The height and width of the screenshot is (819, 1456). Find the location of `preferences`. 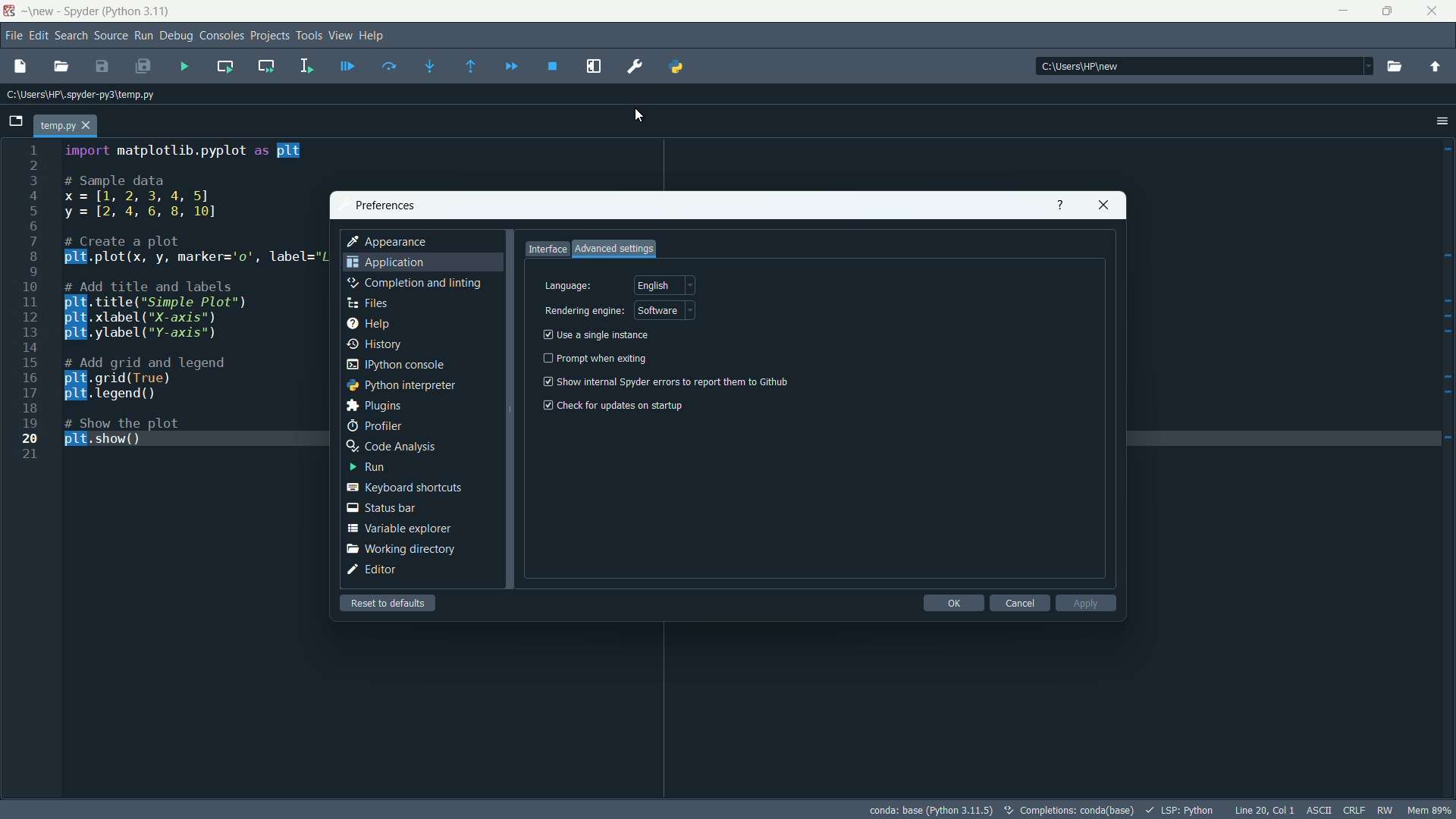

preferences is located at coordinates (635, 65).